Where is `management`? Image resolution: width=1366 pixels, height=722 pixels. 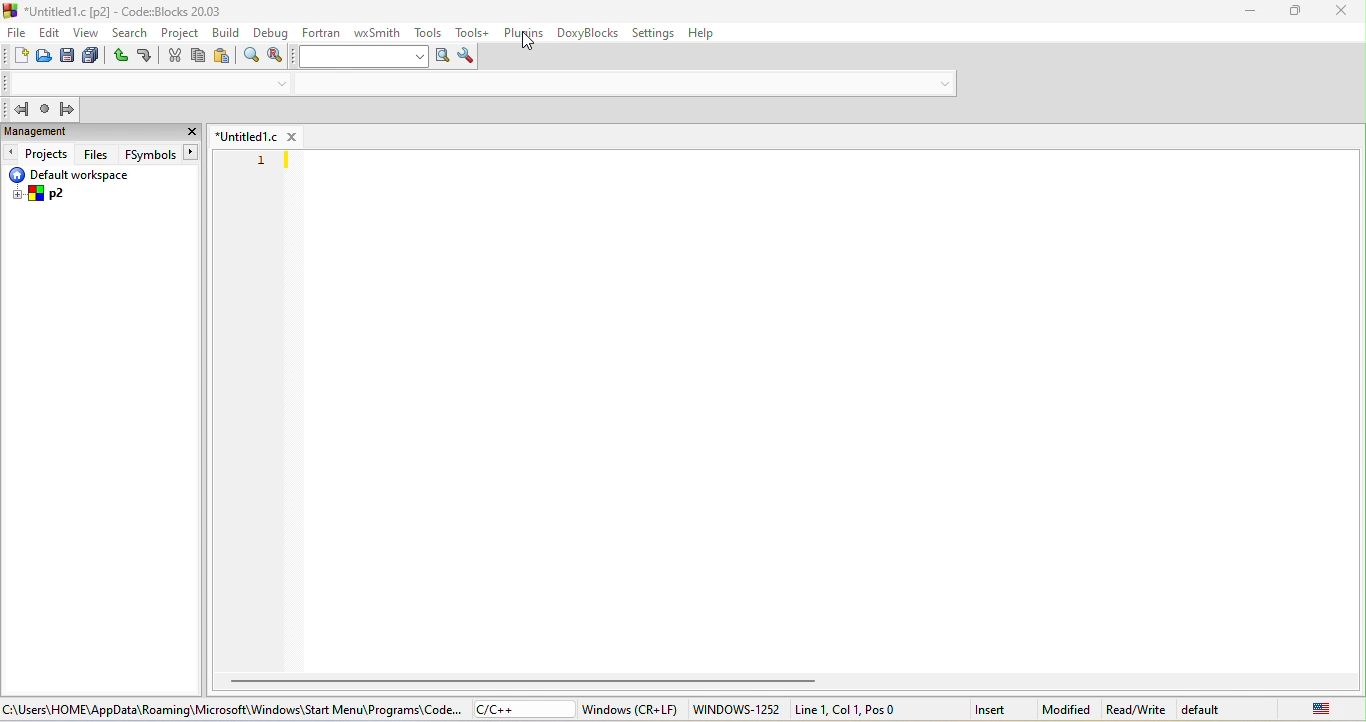 management is located at coordinates (79, 134).